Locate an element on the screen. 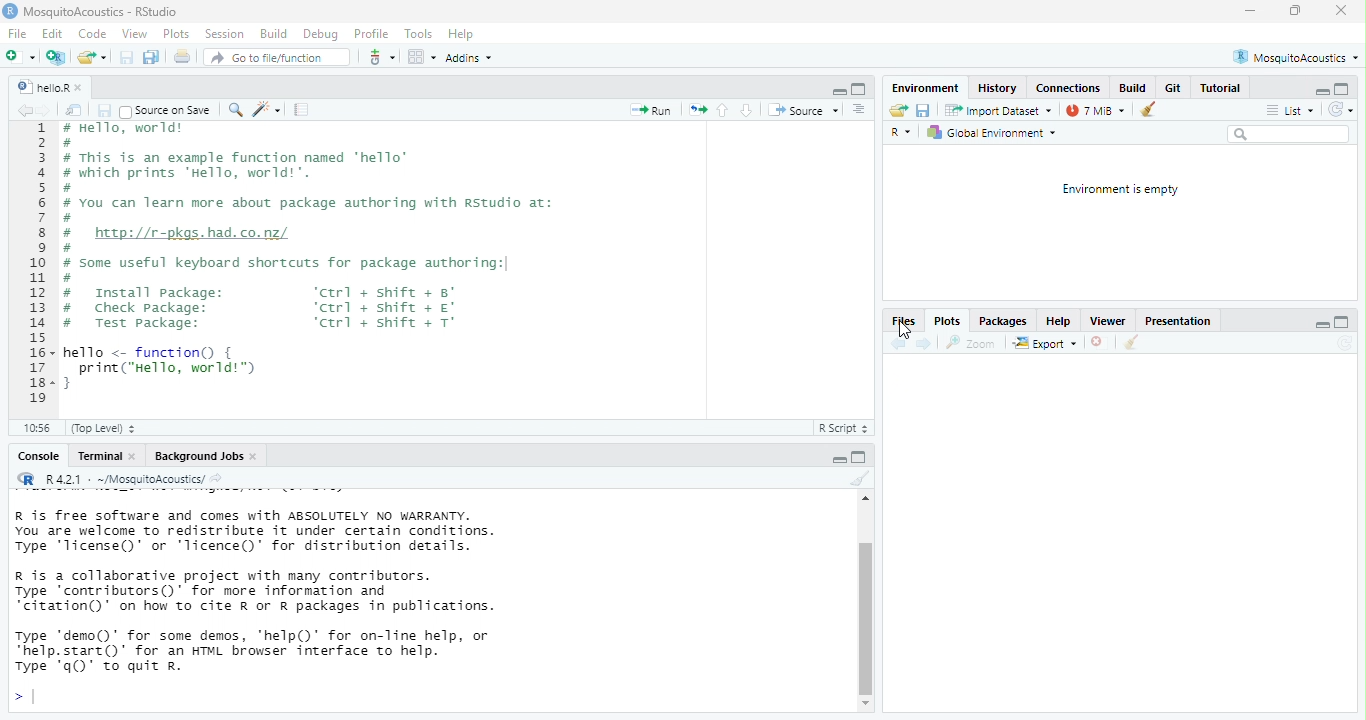 The height and width of the screenshot is (720, 1366).  Run is located at coordinates (653, 112).